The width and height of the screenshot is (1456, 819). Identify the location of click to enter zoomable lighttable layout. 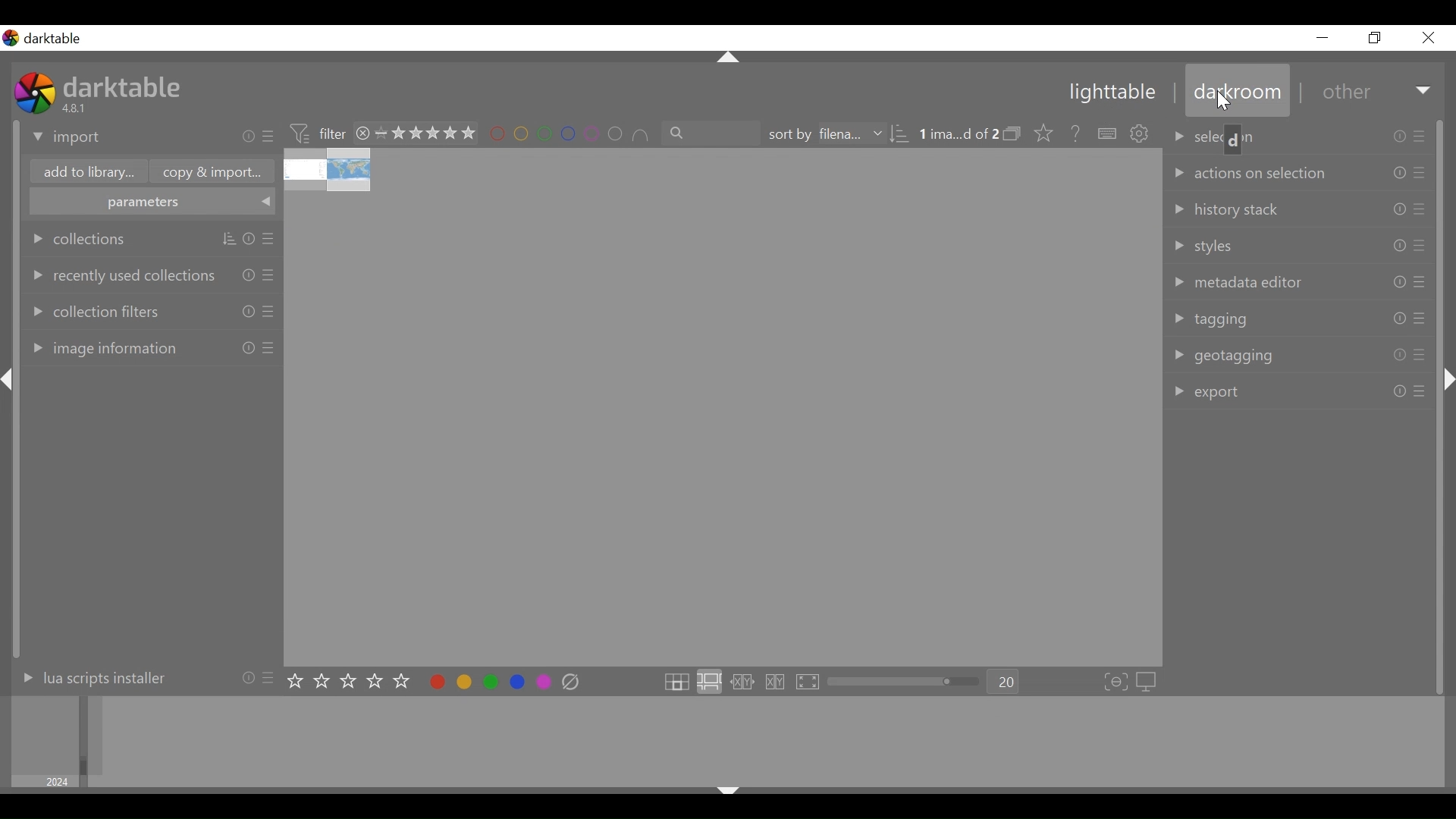
(709, 681).